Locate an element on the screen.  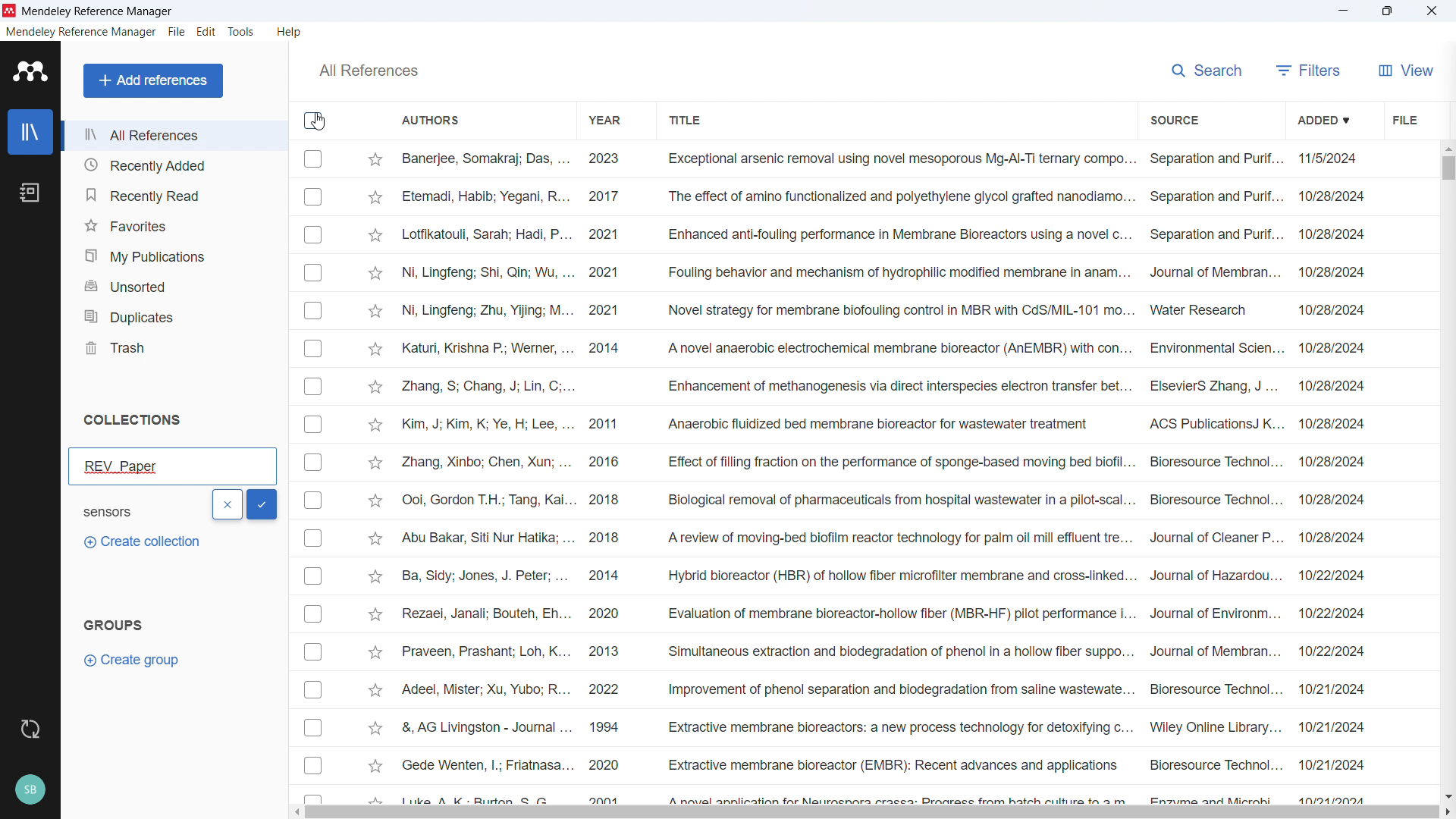
Select respective publication is located at coordinates (313, 425).